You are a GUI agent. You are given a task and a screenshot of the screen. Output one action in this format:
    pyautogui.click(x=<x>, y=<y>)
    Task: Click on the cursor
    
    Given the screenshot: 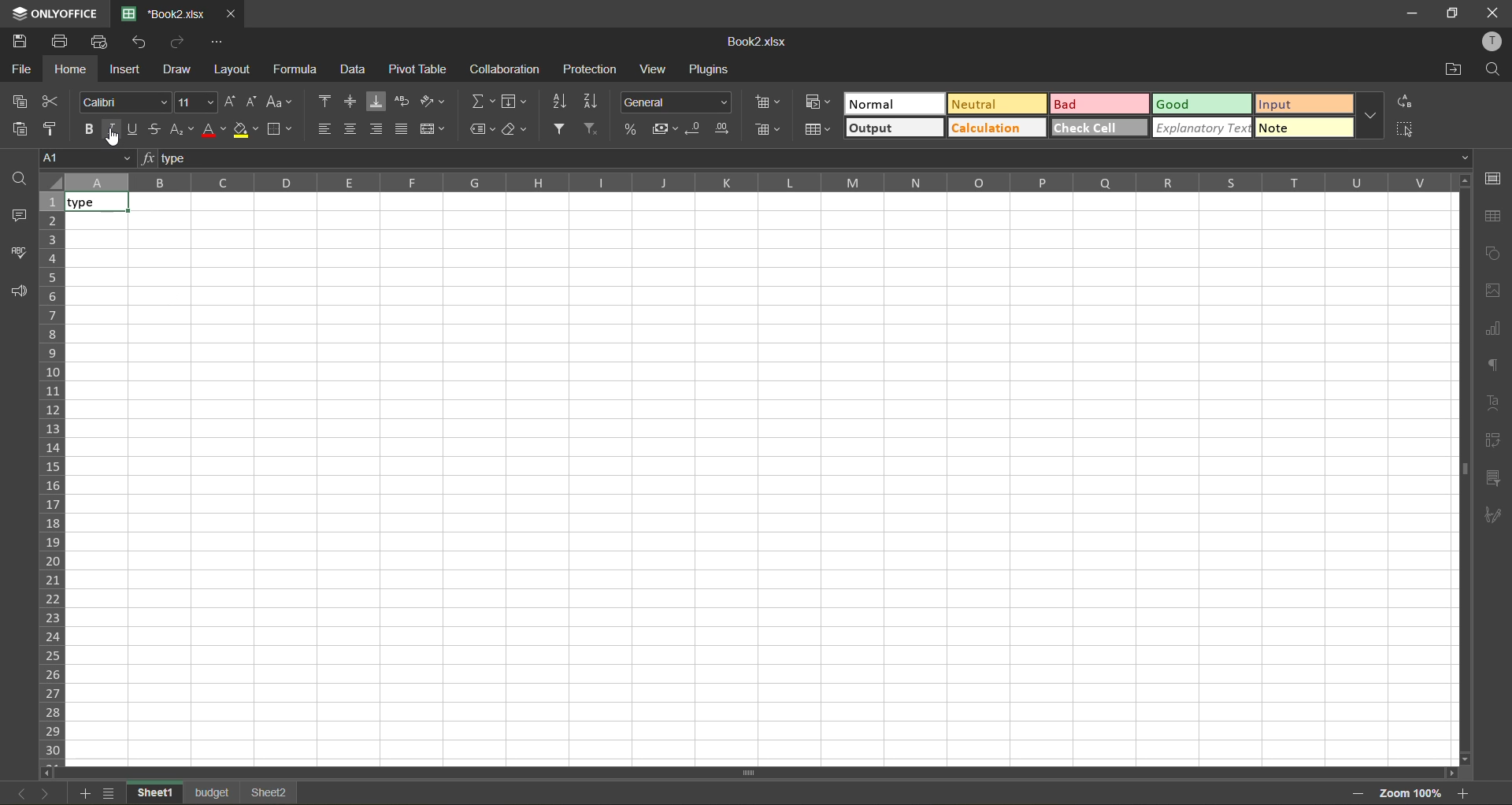 What is the action you would take?
    pyautogui.click(x=117, y=139)
    